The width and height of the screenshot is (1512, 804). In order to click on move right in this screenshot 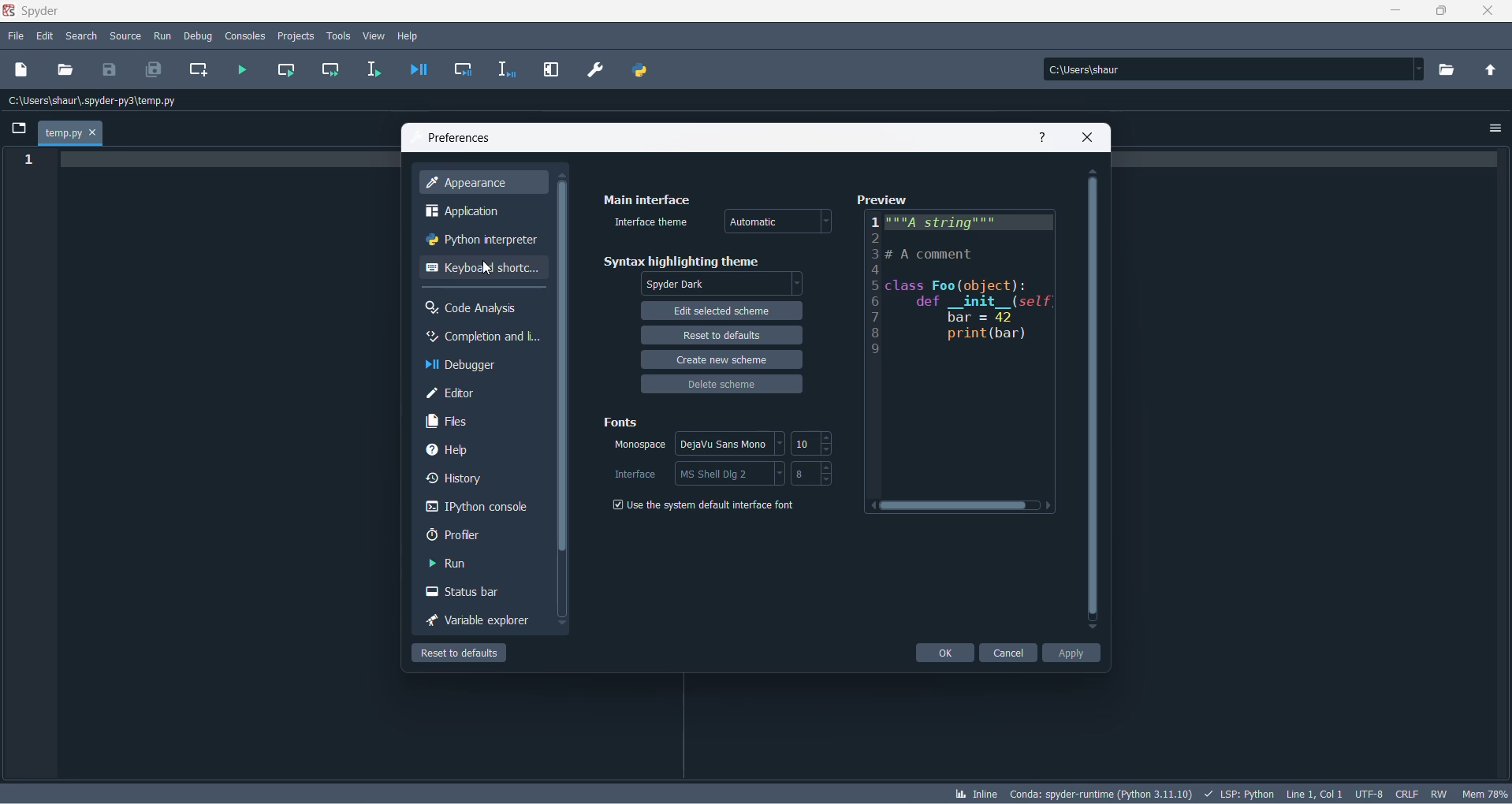, I will do `click(1049, 507)`.